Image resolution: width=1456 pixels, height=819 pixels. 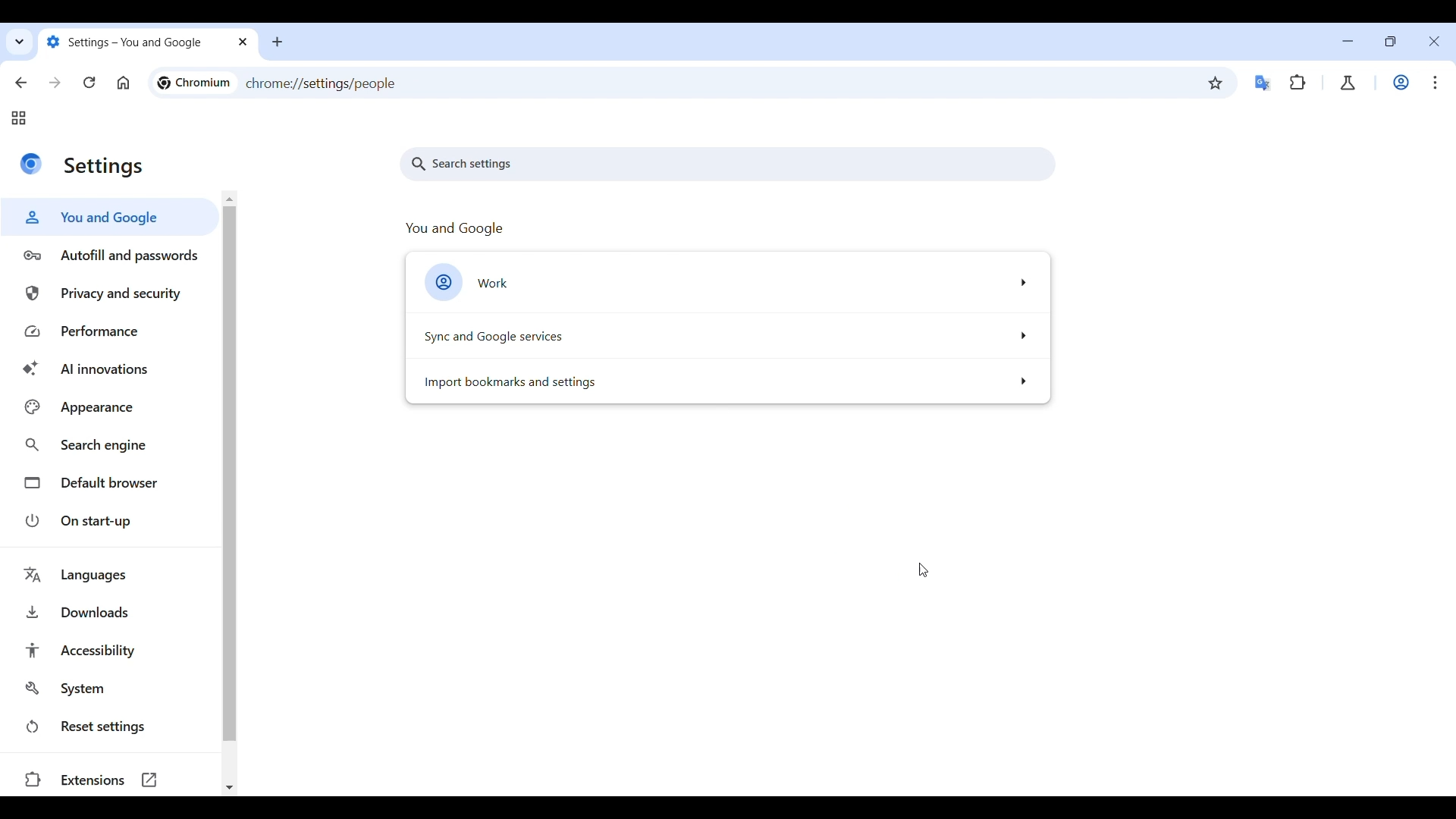 I want to click on Close interface, so click(x=1435, y=41).